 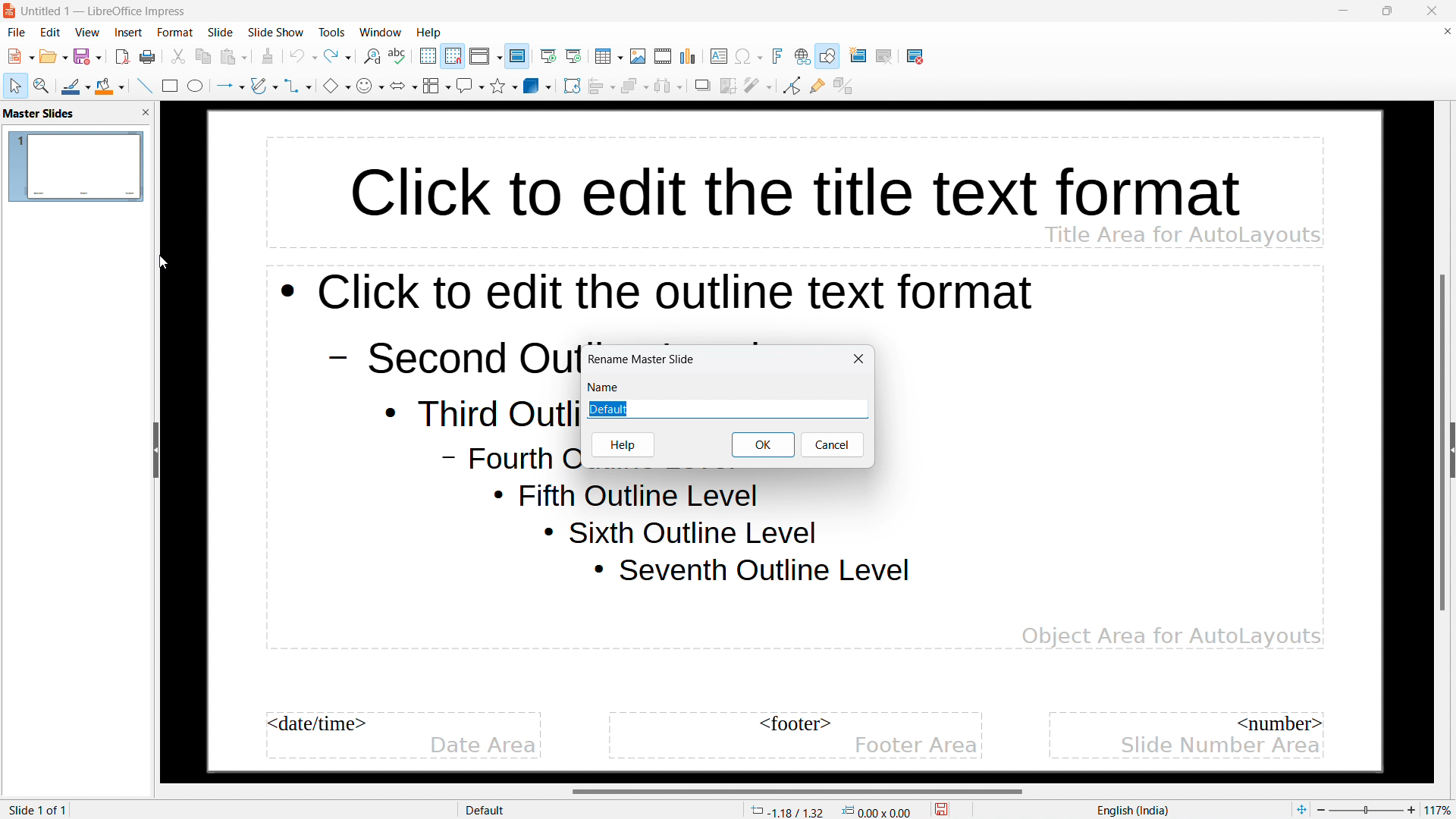 What do you see at coordinates (917, 745) in the screenshot?
I see `footer area` at bounding box center [917, 745].